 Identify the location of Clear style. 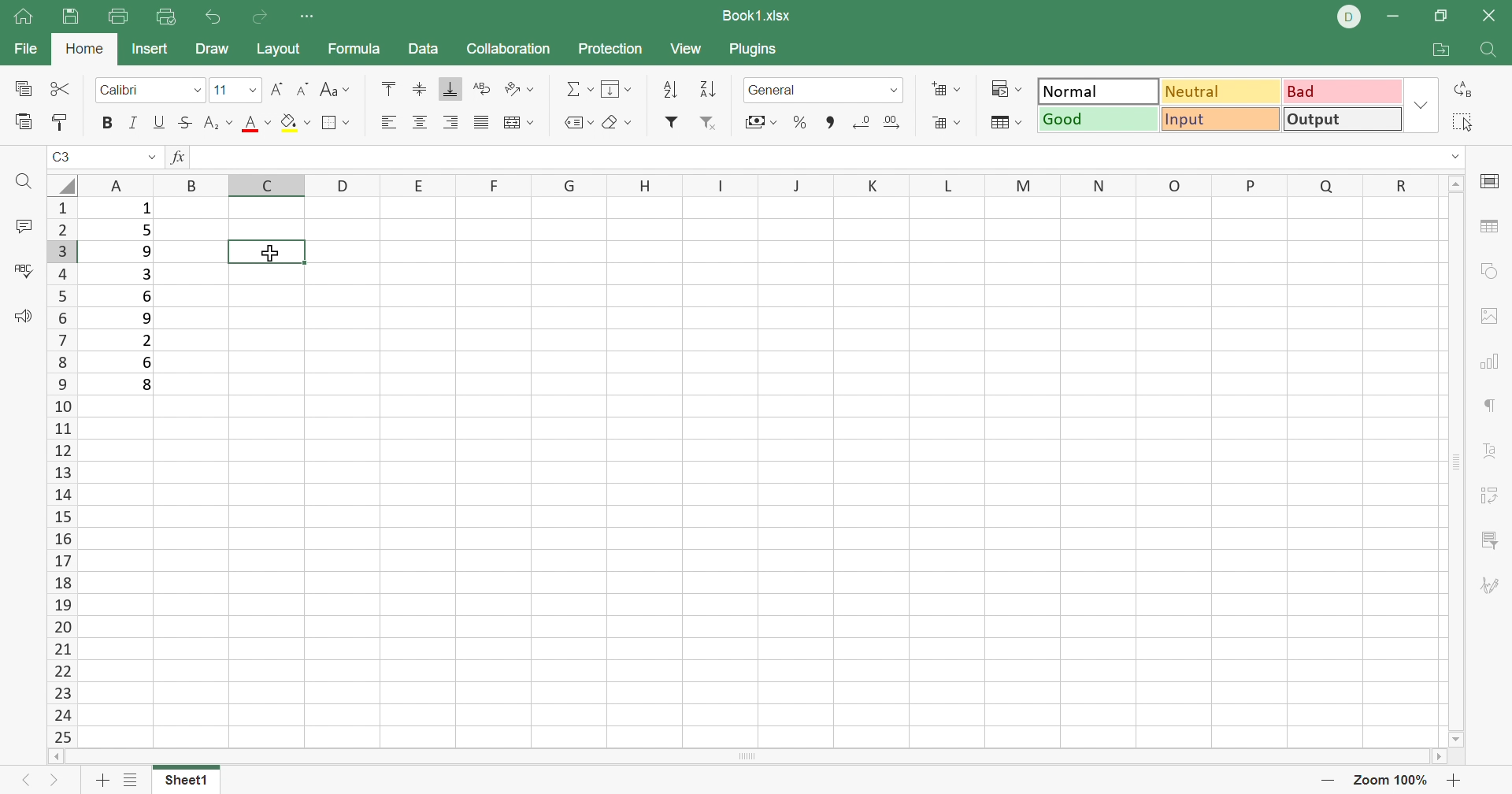
(618, 124).